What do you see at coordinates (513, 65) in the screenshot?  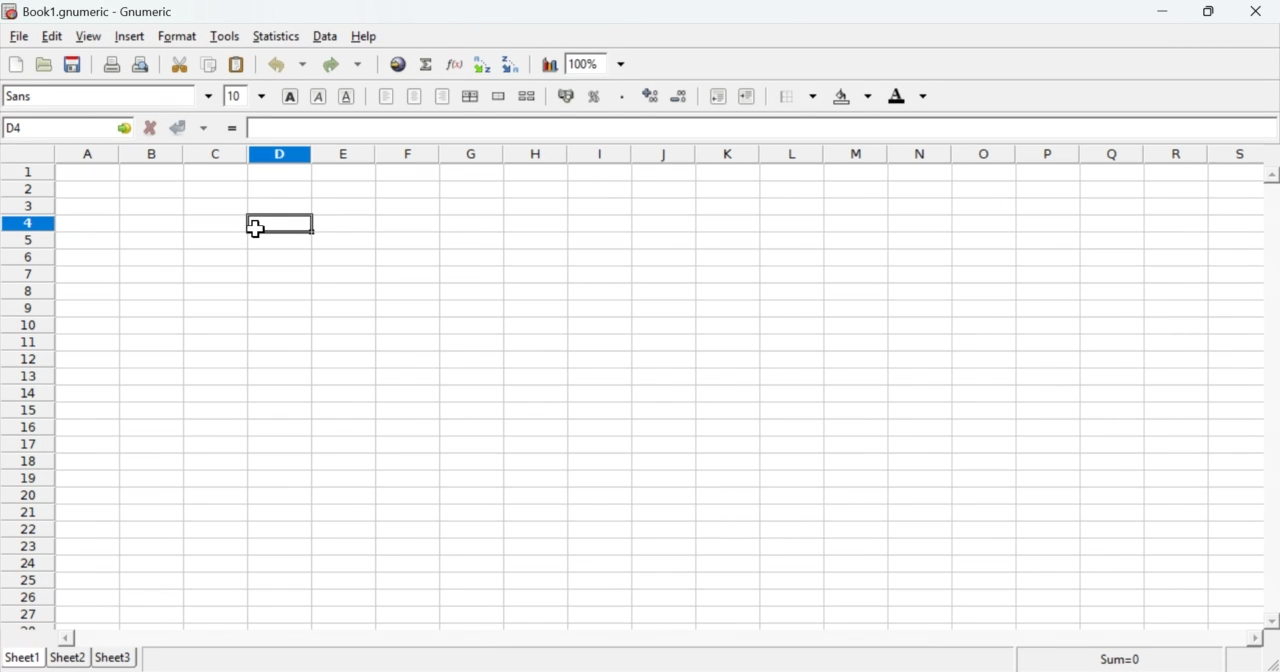 I see `Sort descending` at bounding box center [513, 65].